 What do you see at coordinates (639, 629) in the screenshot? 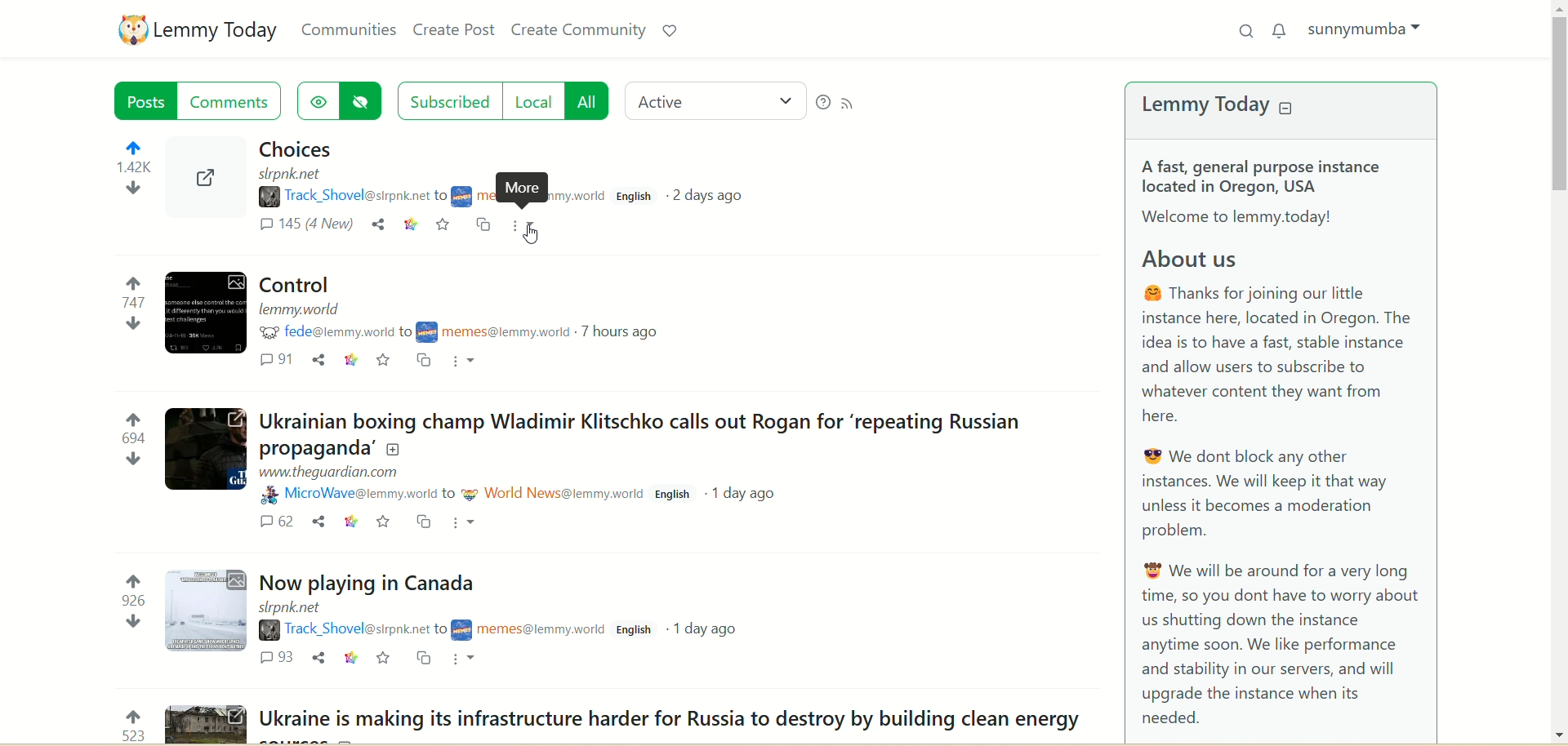
I see `English` at bounding box center [639, 629].